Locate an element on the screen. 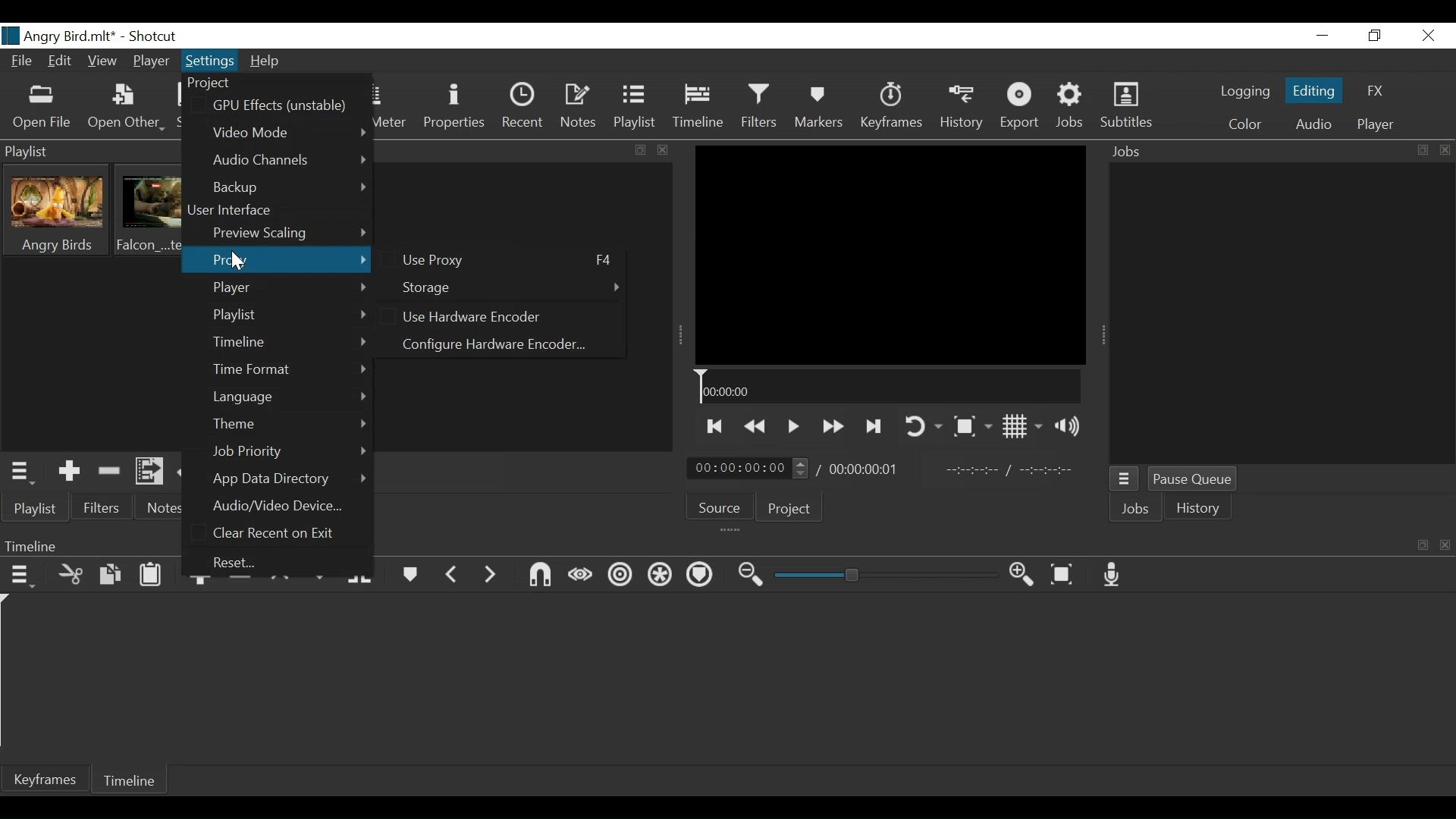  maximize is located at coordinates (1427, 543).